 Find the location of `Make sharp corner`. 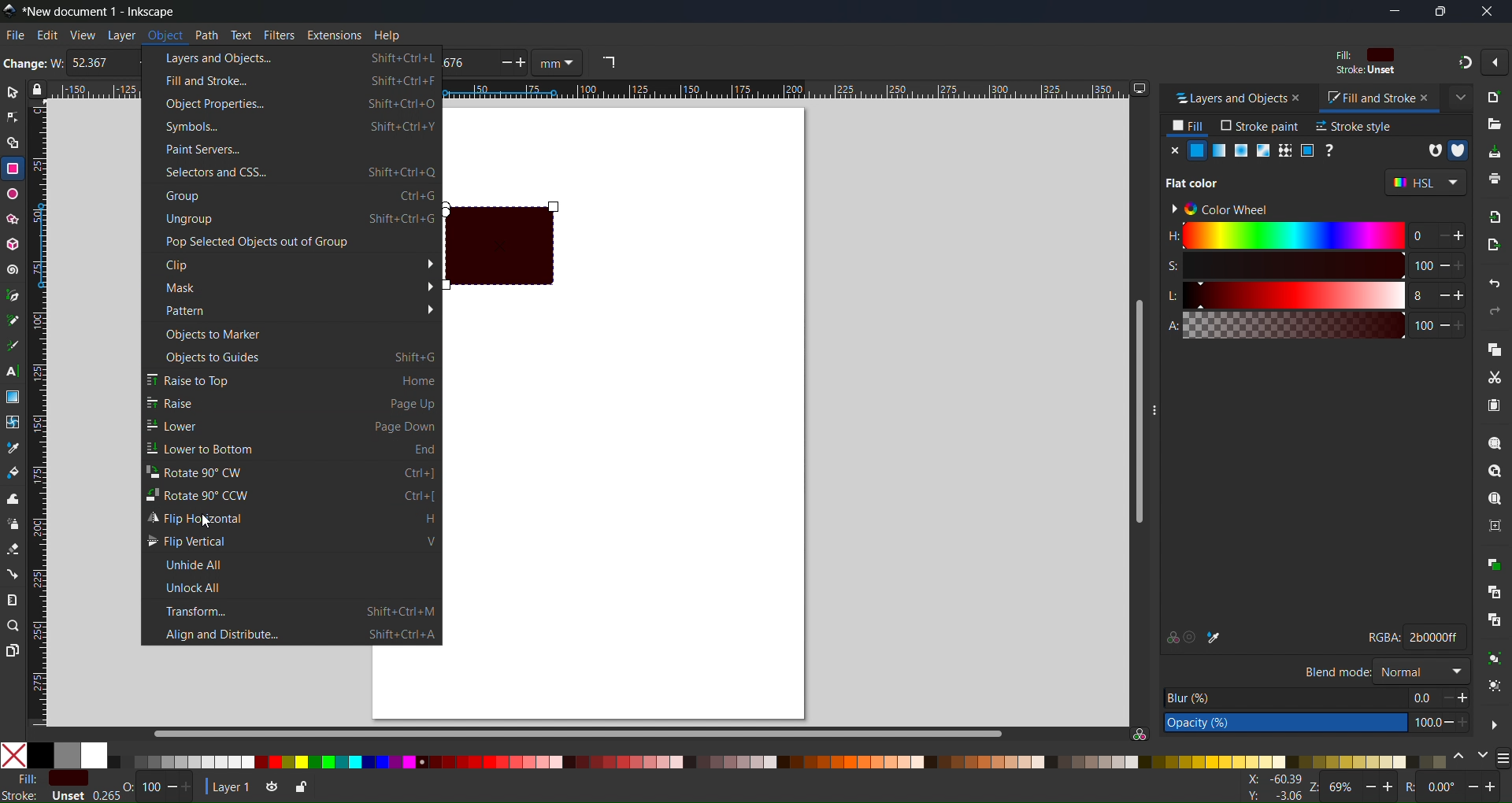

Make sharp corner is located at coordinates (608, 63).